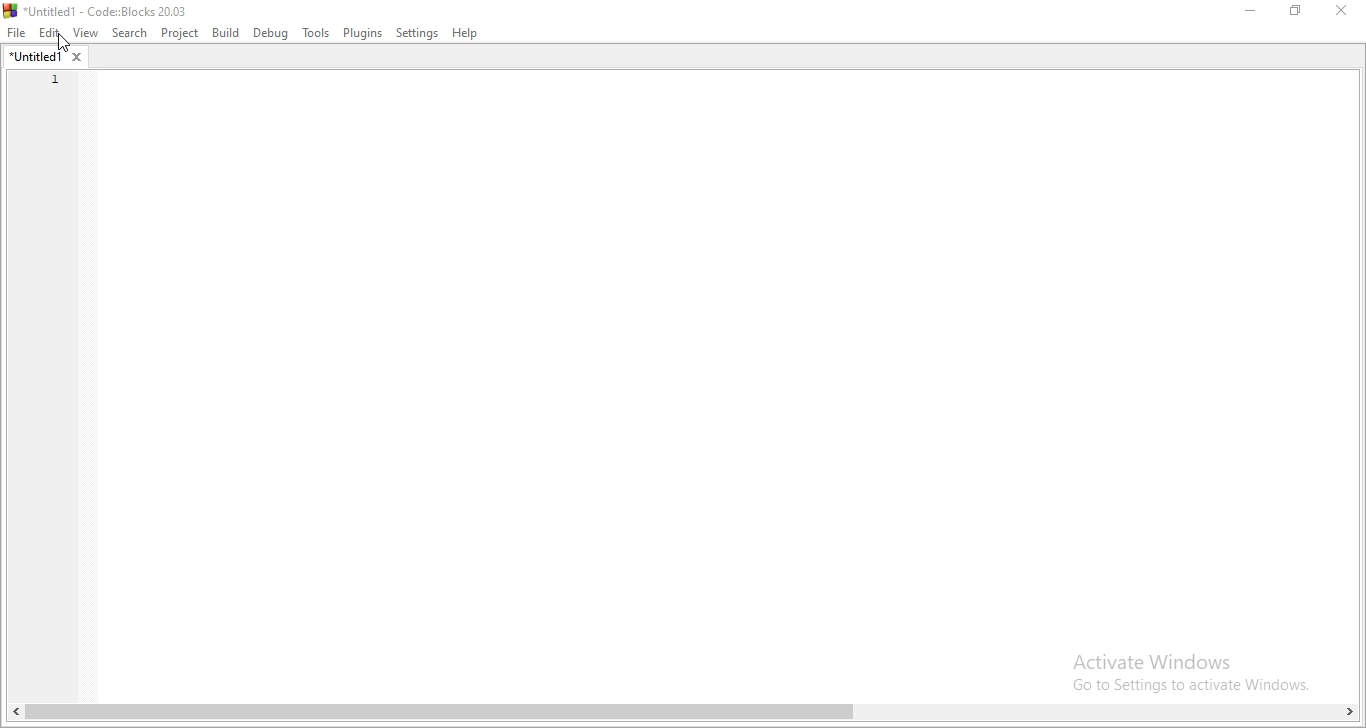 This screenshot has width=1366, height=728. I want to click on settings, so click(420, 33).